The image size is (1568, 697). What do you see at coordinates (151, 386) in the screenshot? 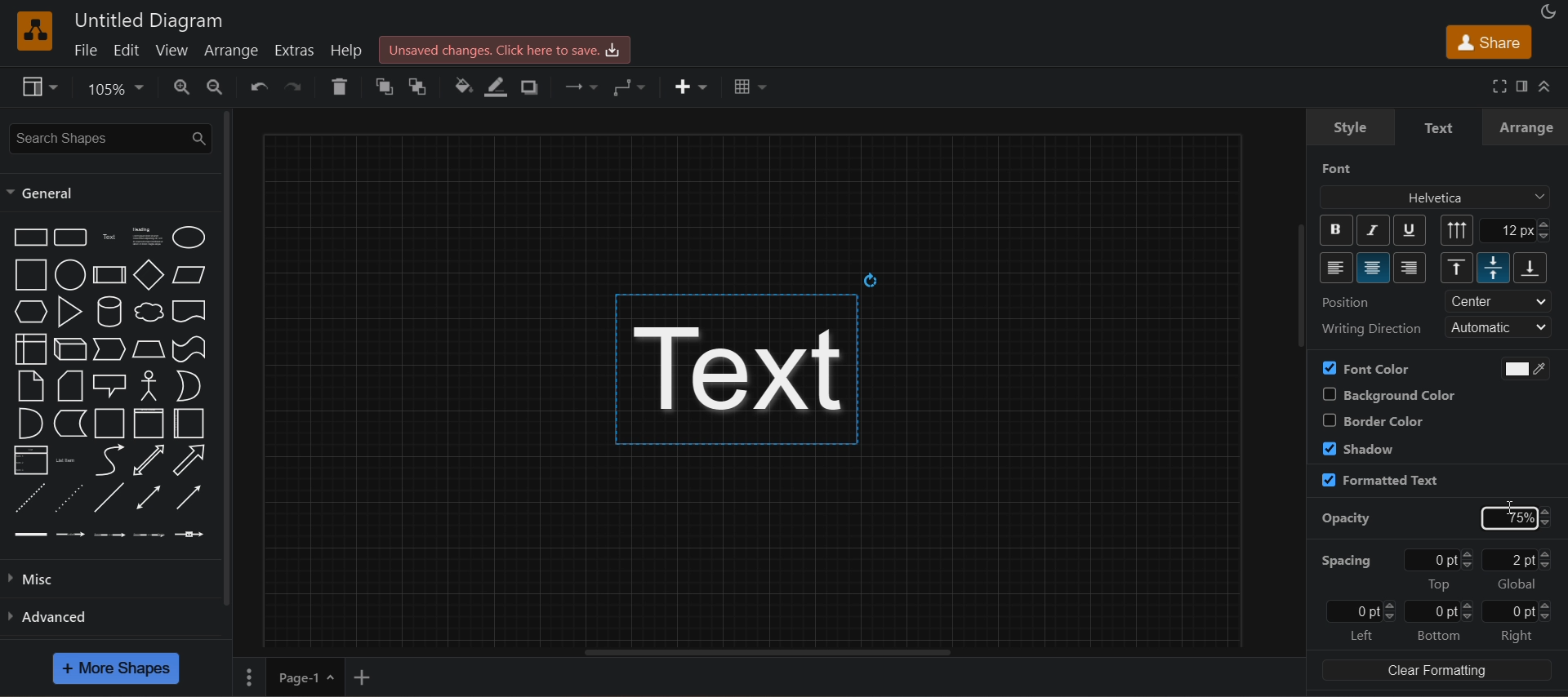
I see `actor` at bounding box center [151, 386].